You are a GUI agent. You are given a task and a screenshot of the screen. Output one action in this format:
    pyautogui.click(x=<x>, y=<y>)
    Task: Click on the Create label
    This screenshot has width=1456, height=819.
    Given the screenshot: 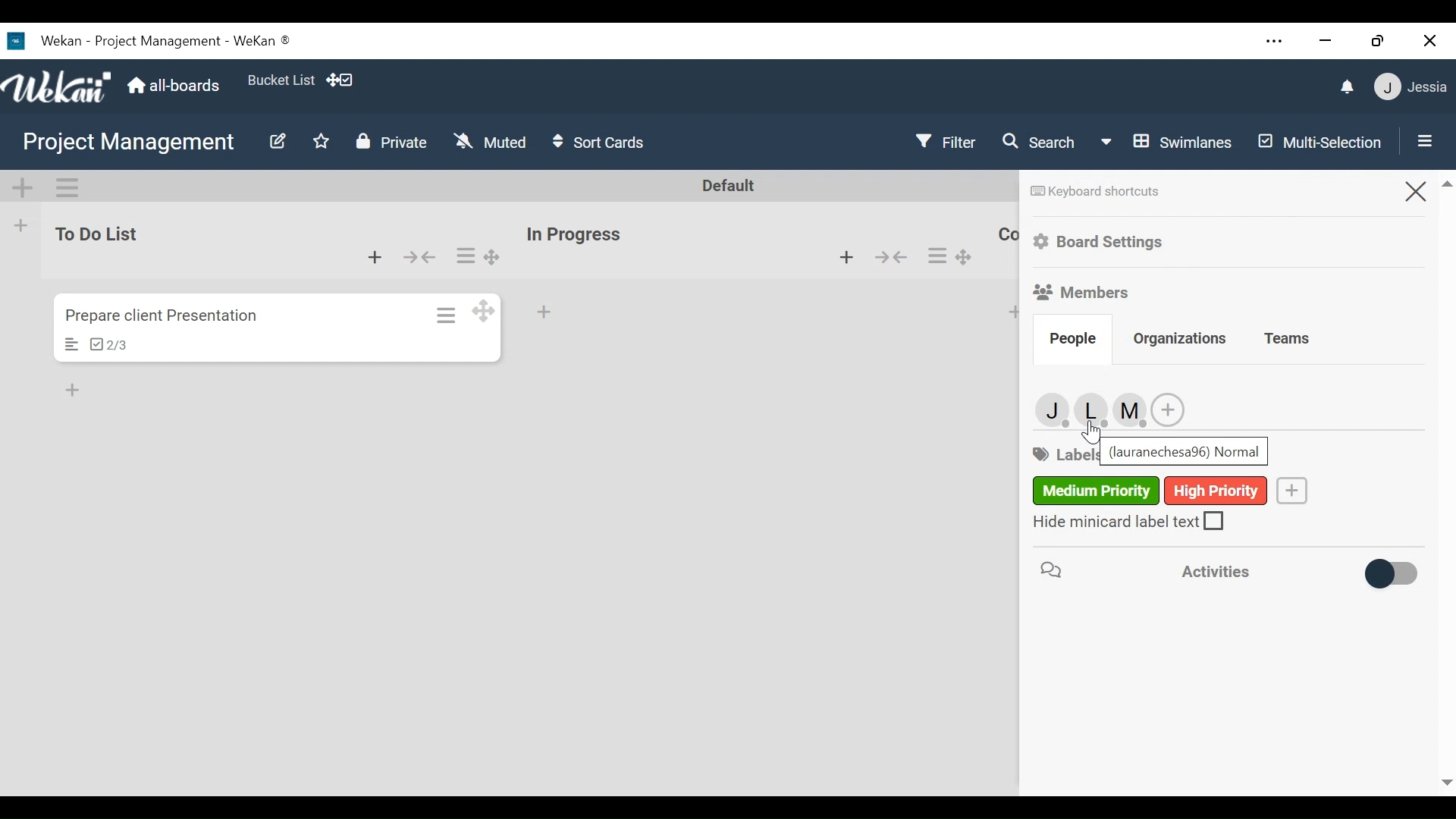 What is the action you would take?
    pyautogui.click(x=1294, y=491)
    